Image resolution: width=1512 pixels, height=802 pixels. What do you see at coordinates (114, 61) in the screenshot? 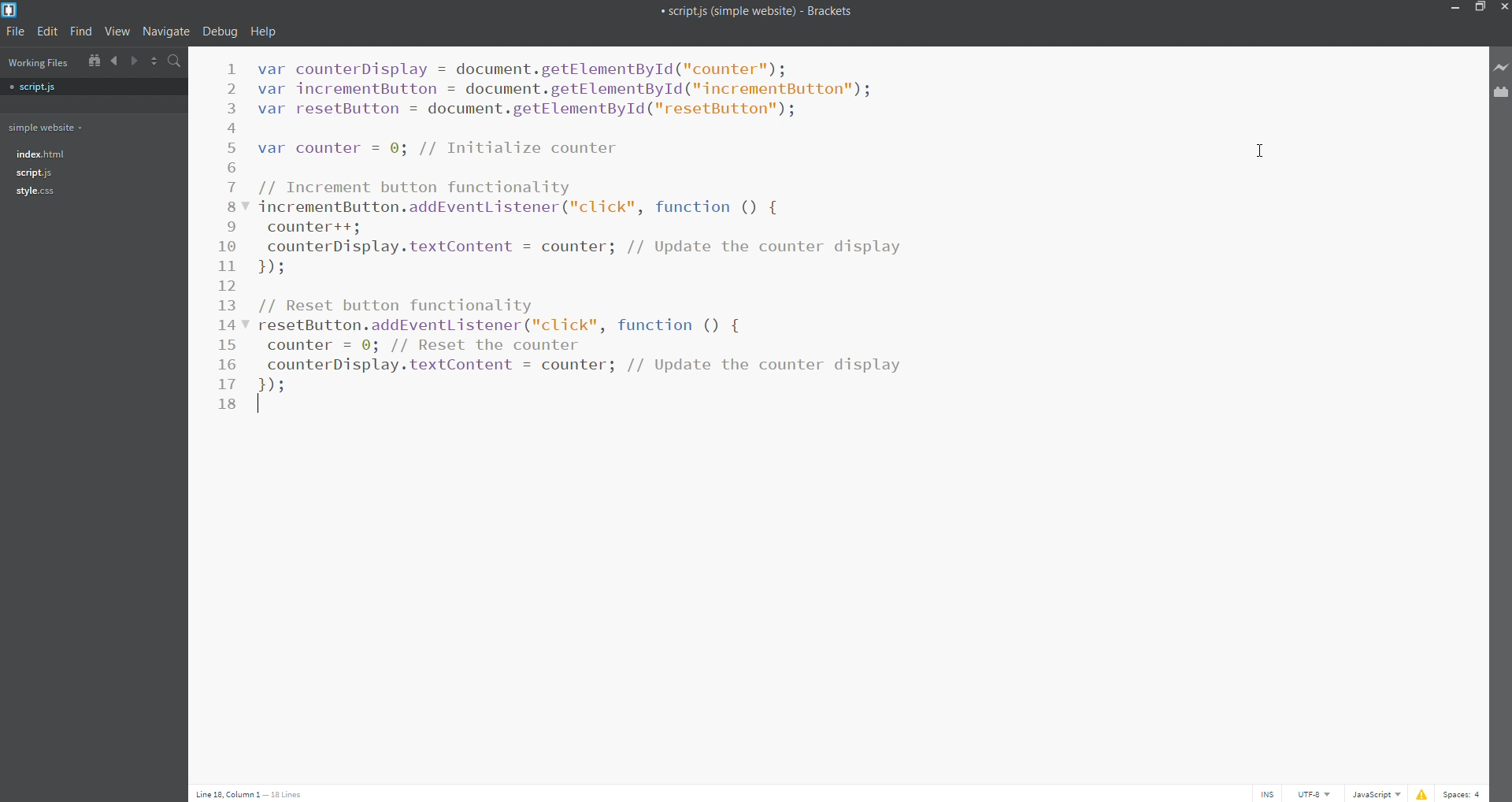
I see `navigate backward` at bounding box center [114, 61].